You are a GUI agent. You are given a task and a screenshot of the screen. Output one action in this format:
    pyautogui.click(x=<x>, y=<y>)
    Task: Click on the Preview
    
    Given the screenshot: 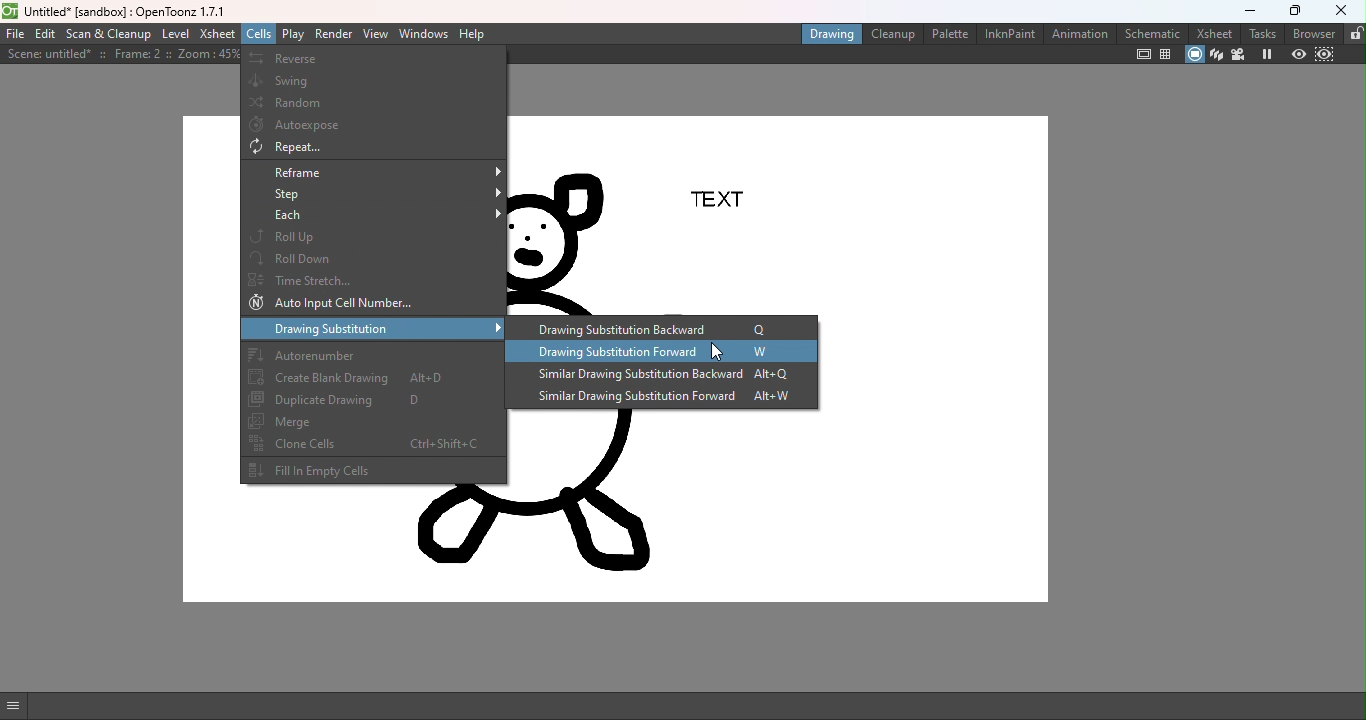 What is the action you would take?
    pyautogui.click(x=1295, y=54)
    